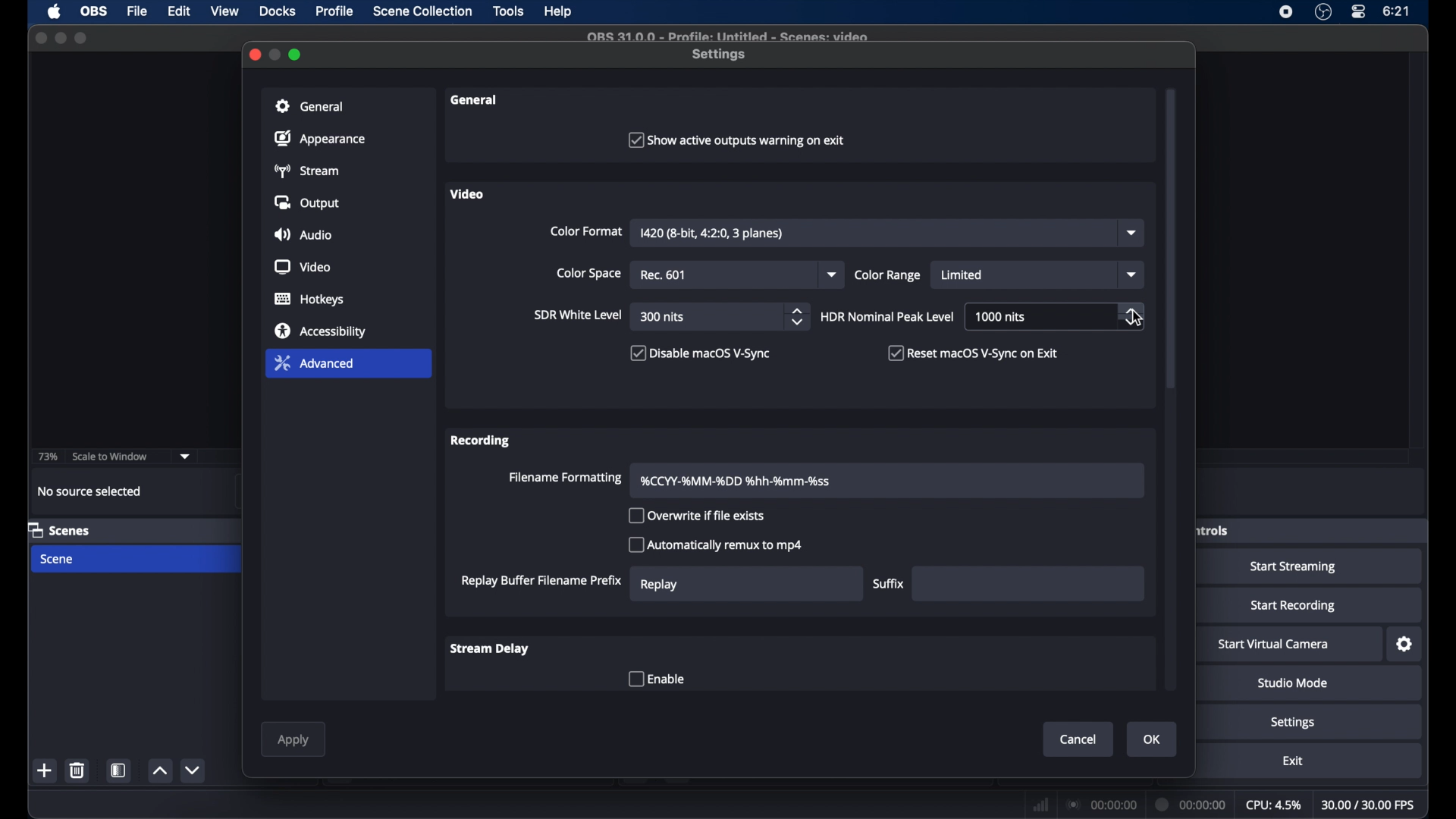 Image resolution: width=1456 pixels, height=819 pixels. Describe the element at coordinates (1293, 682) in the screenshot. I see `studio mode` at that location.